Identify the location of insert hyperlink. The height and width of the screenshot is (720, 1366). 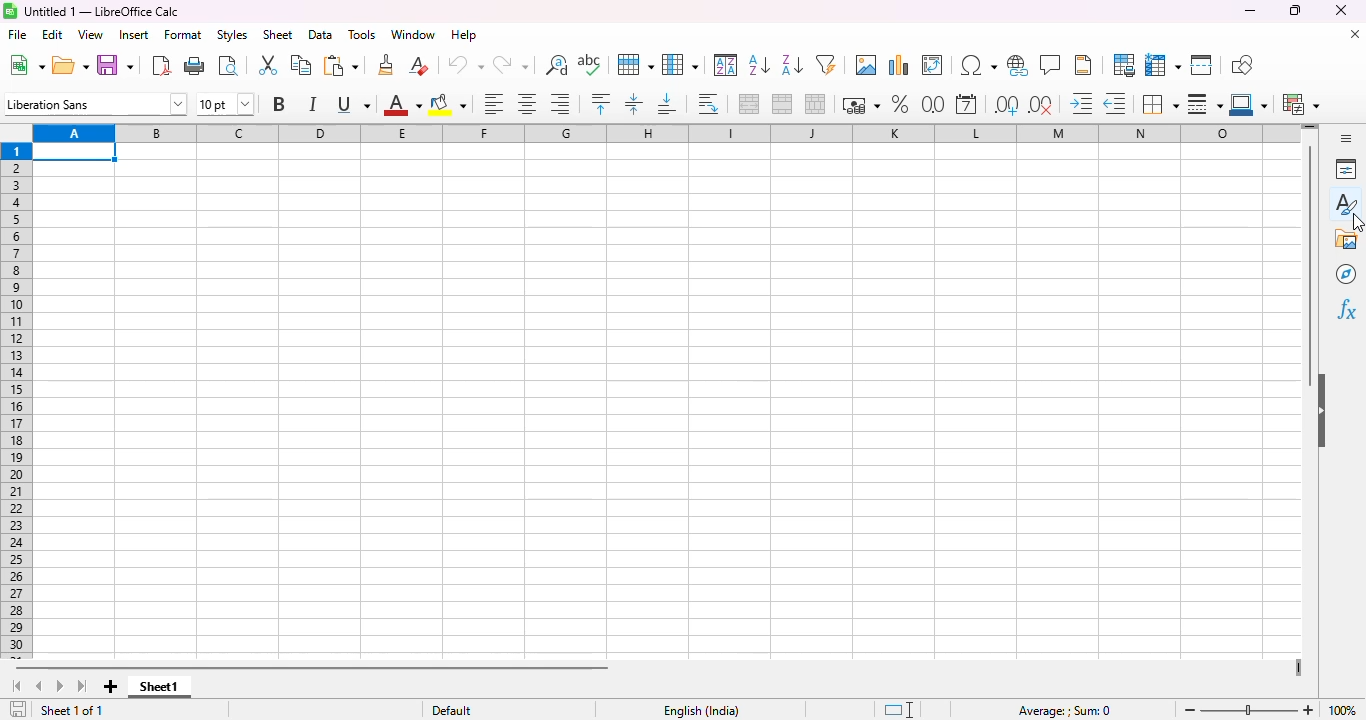
(1018, 65).